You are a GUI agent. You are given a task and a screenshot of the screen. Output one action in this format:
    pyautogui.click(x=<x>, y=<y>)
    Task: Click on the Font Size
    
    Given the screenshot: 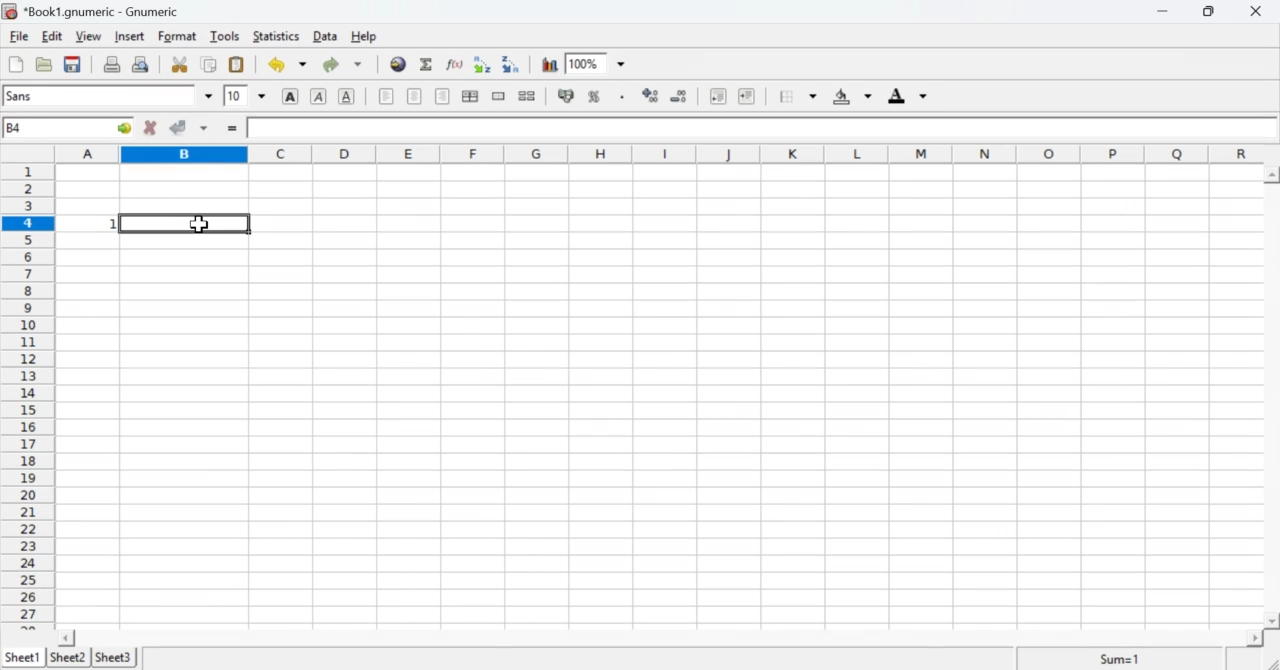 What is the action you would take?
    pyautogui.click(x=247, y=96)
    